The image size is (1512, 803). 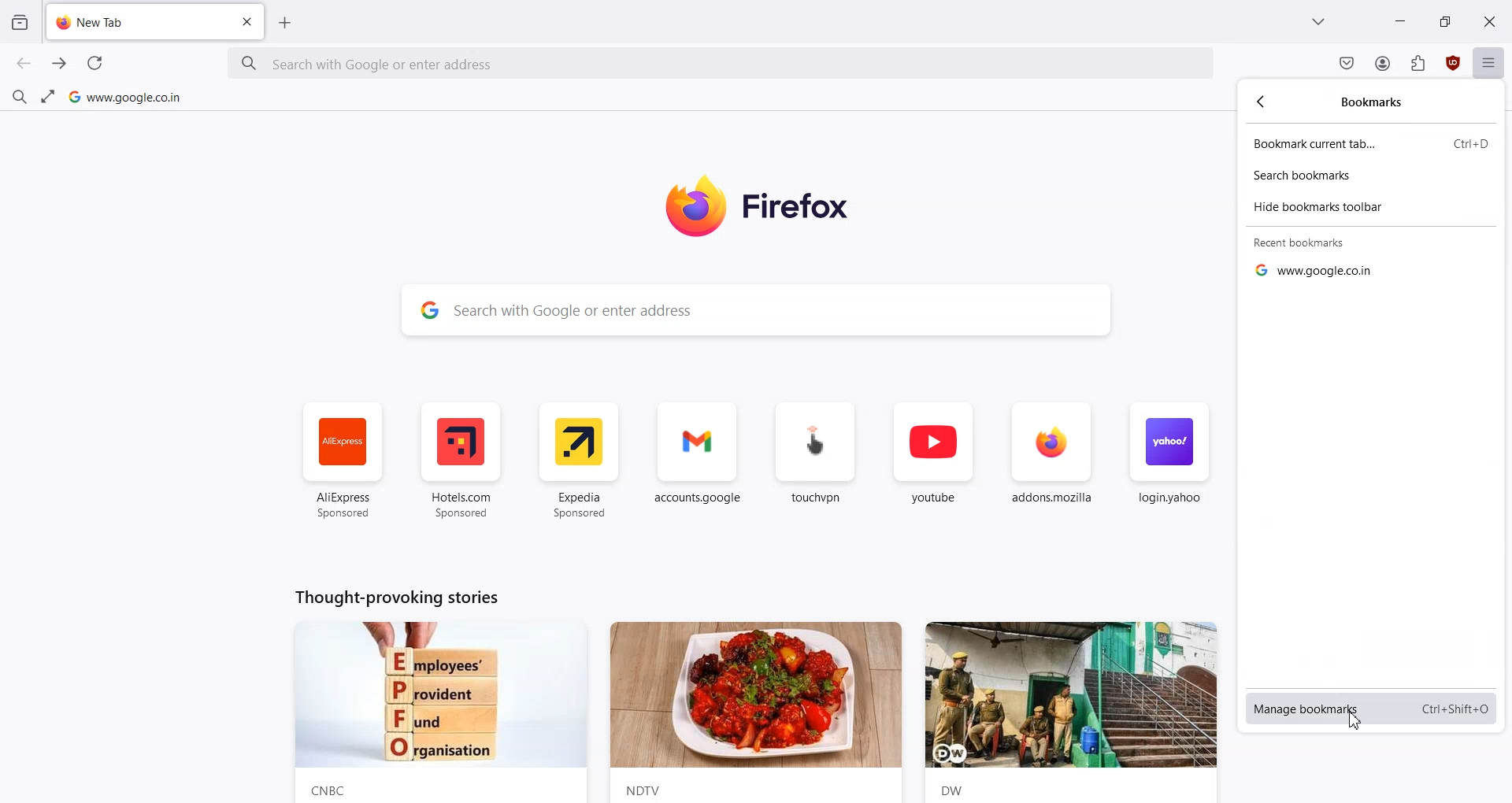 I want to click on Minimize, so click(x=1400, y=20).